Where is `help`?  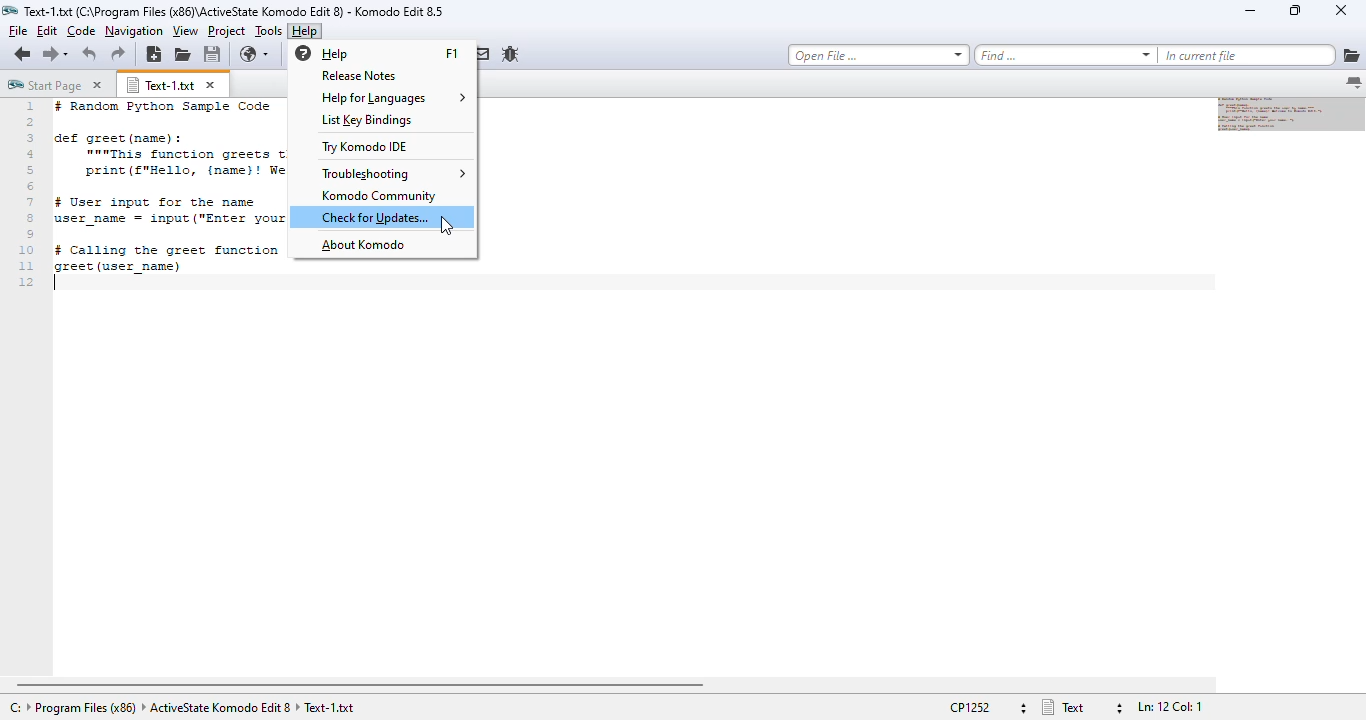
help is located at coordinates (305, 31).